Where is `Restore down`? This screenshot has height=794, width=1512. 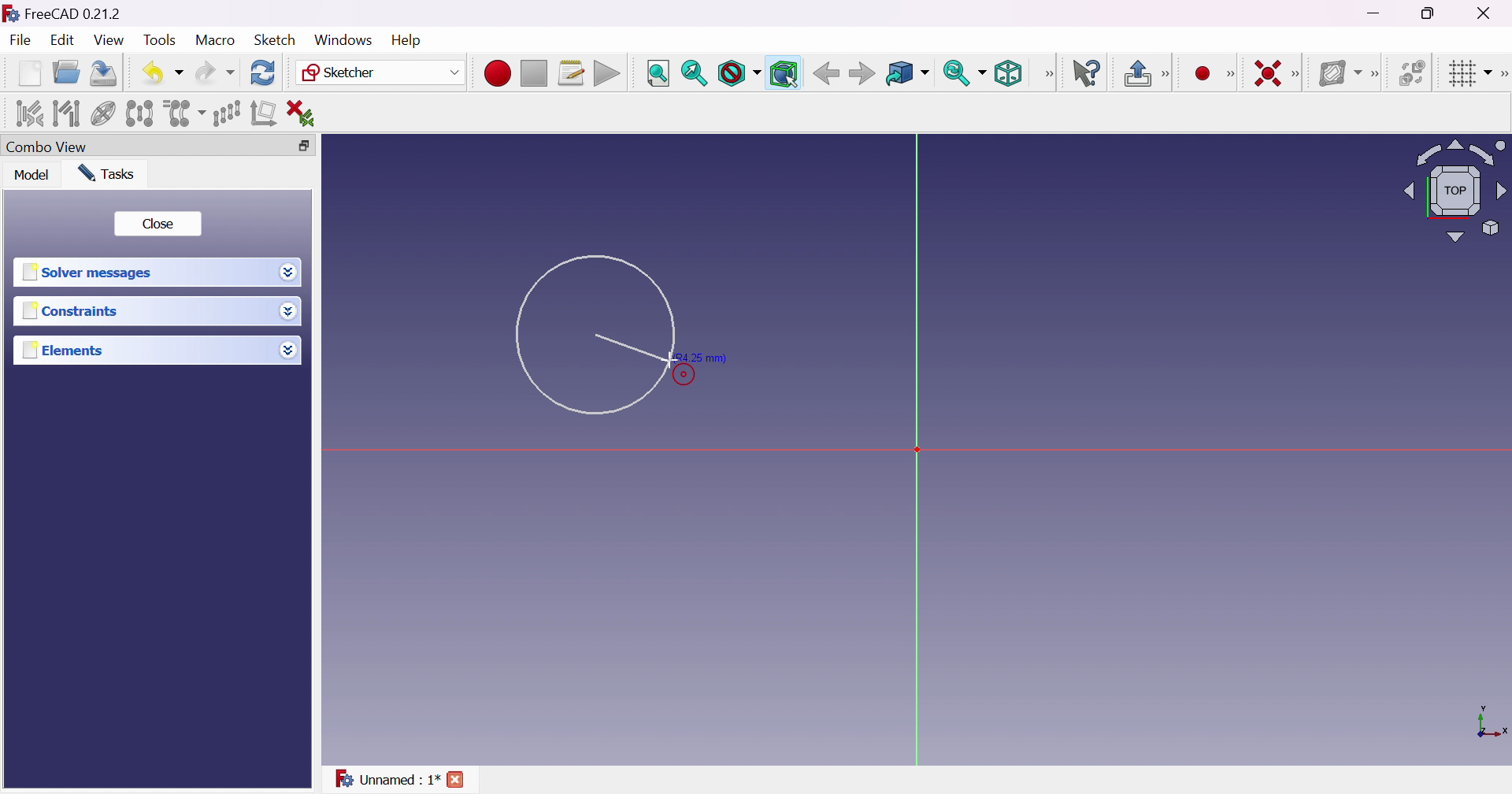 Restore down is located at coordinates (302, 146).